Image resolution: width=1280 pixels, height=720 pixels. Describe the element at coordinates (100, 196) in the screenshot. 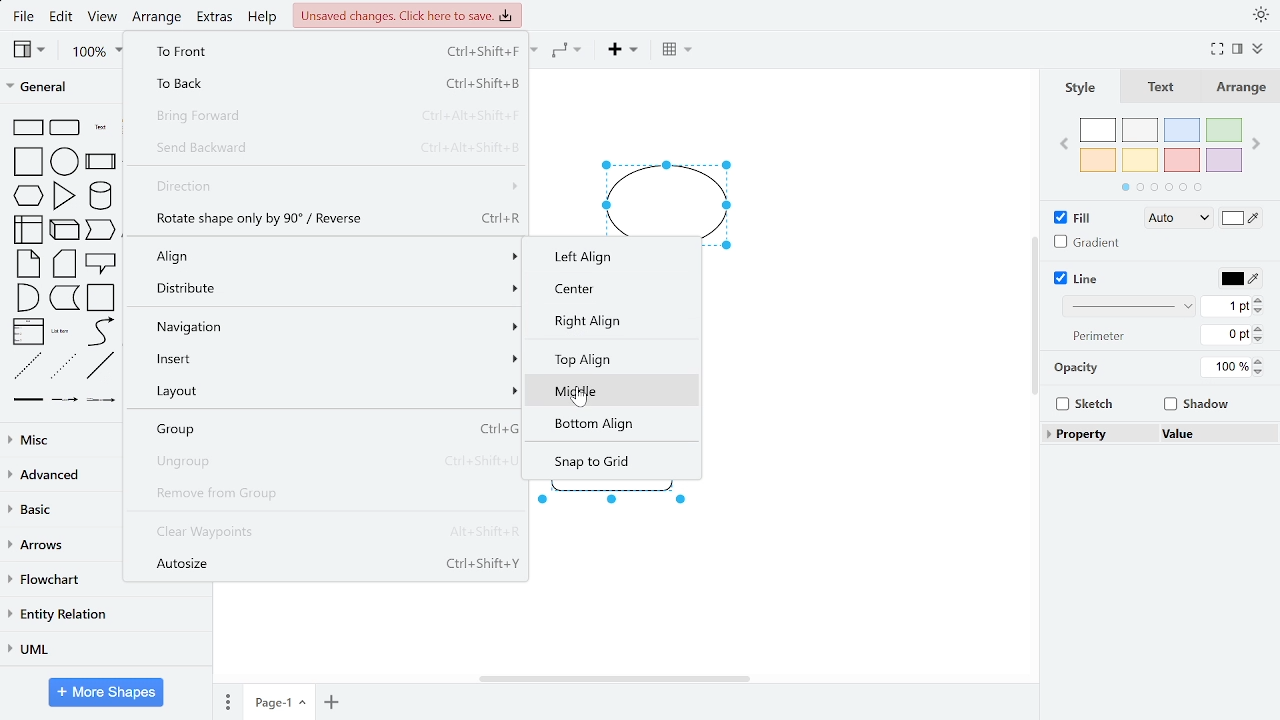

I see `cylinder` at that location.